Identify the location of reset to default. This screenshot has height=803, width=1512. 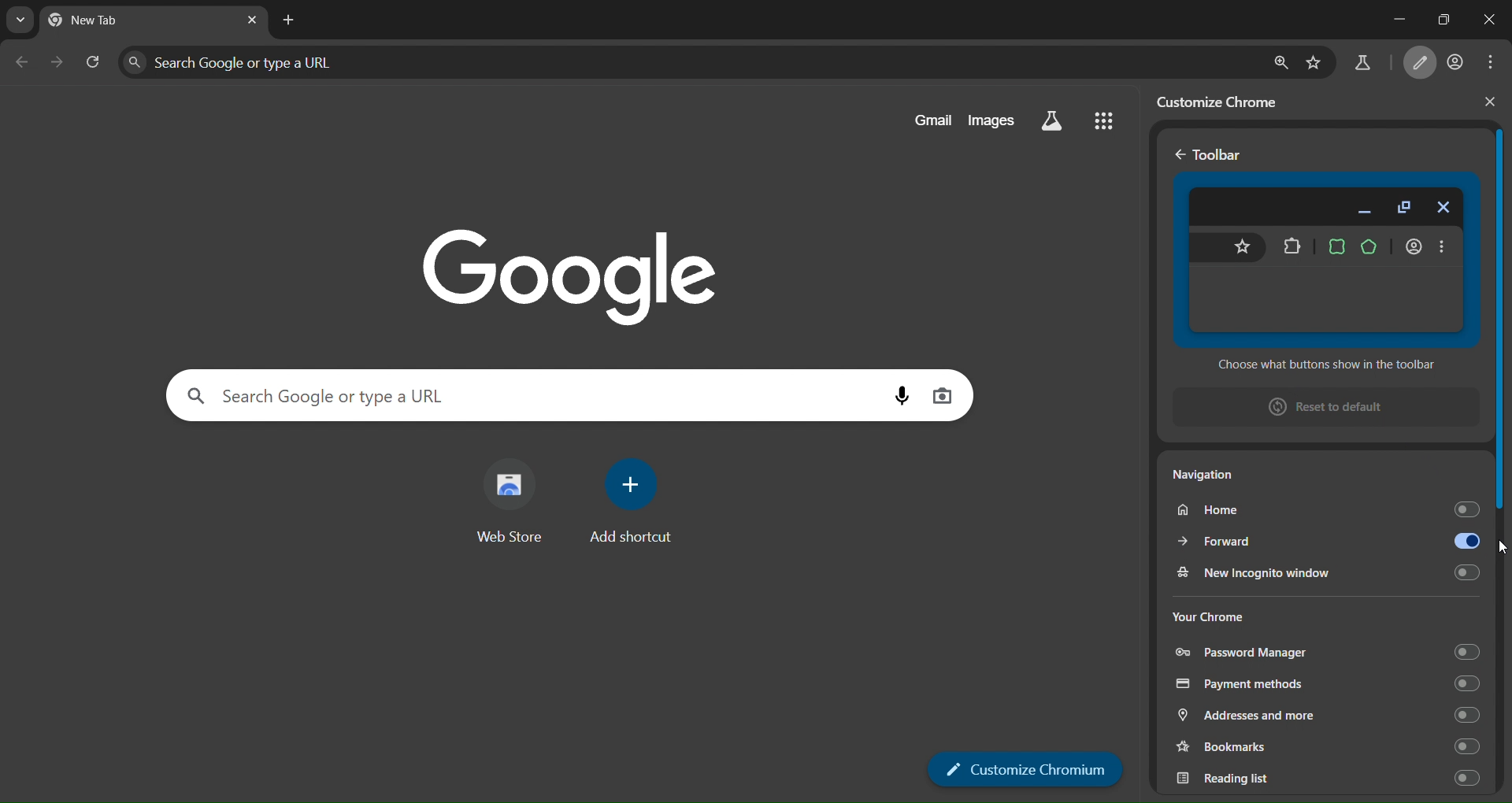
(1317, 405).